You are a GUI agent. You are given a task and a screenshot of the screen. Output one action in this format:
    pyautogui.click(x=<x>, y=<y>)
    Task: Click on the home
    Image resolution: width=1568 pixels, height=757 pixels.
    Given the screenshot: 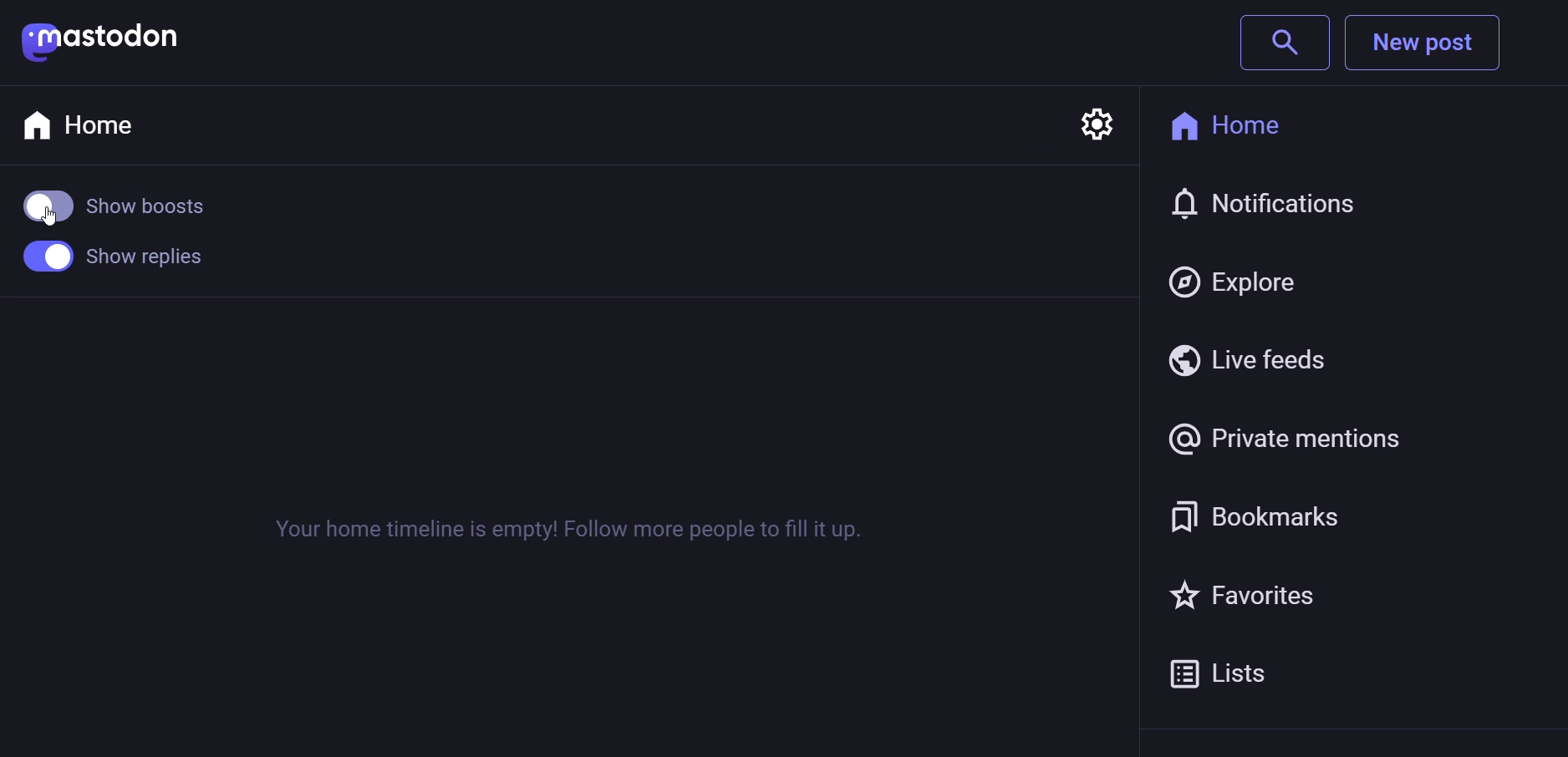 What is the action you would take?
    pyautogui.click(x=86, y=124)
    